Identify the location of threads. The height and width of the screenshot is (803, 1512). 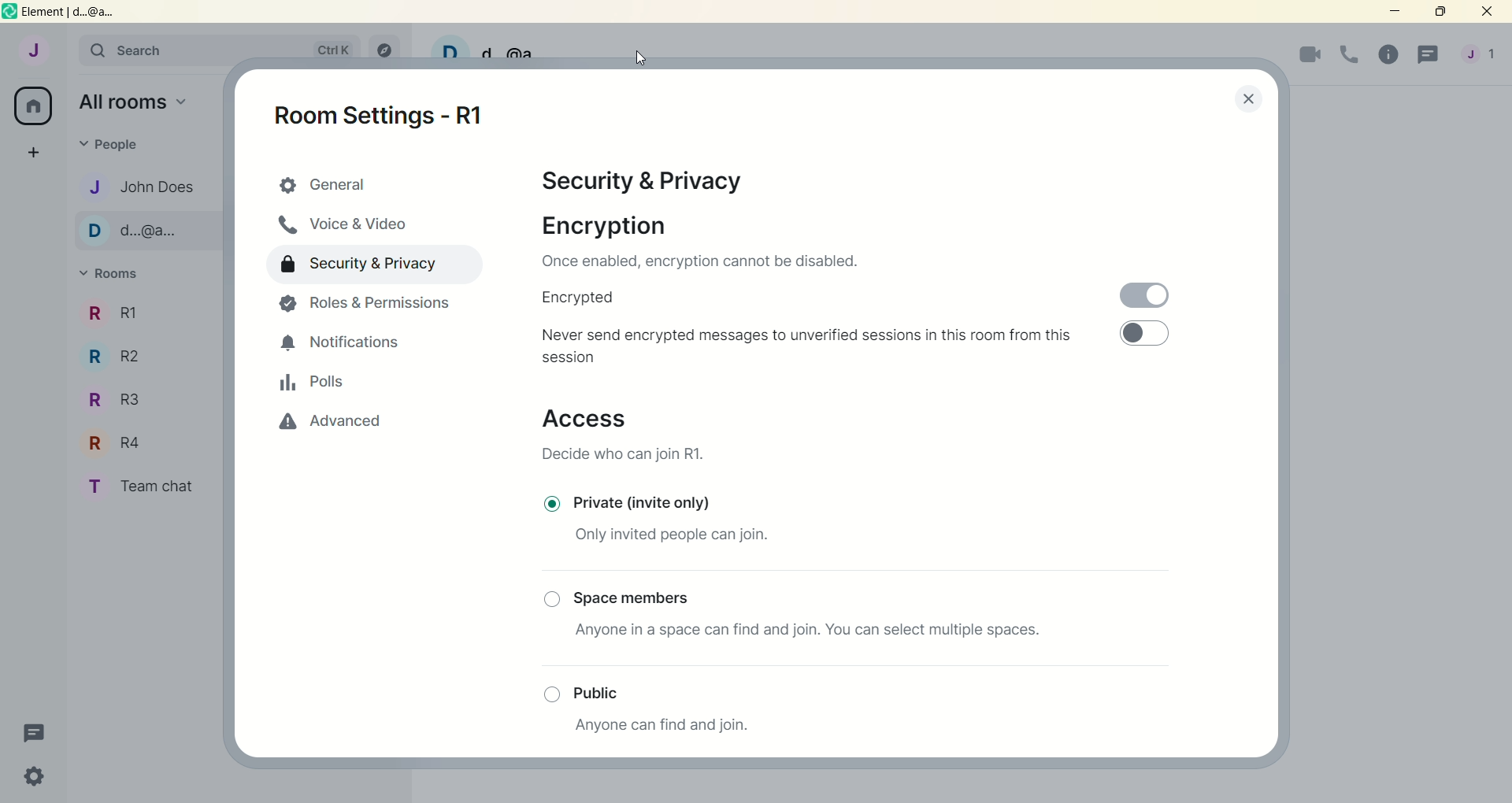
(1425, 56).